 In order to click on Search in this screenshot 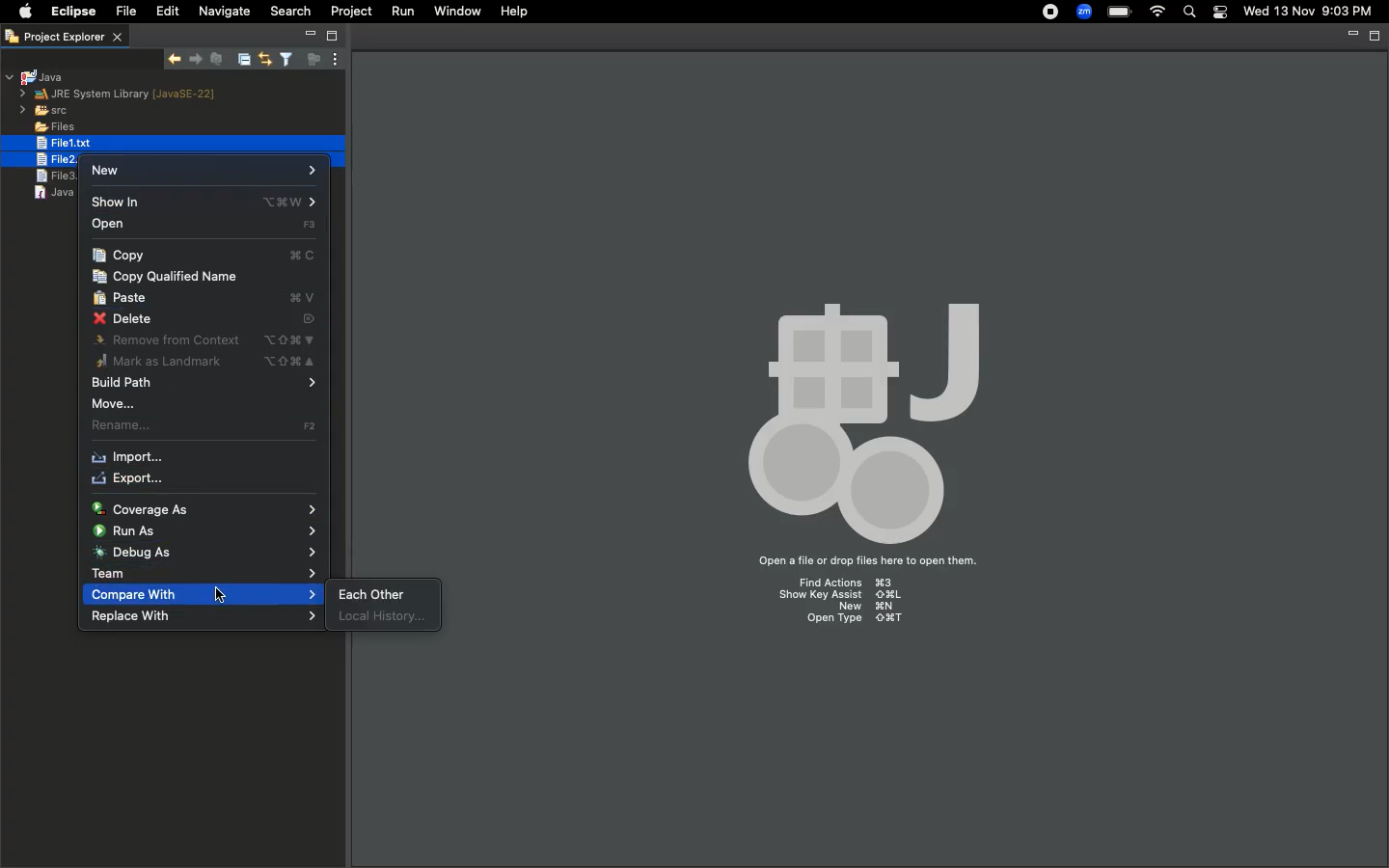, I will do `click(1189, 13)`.